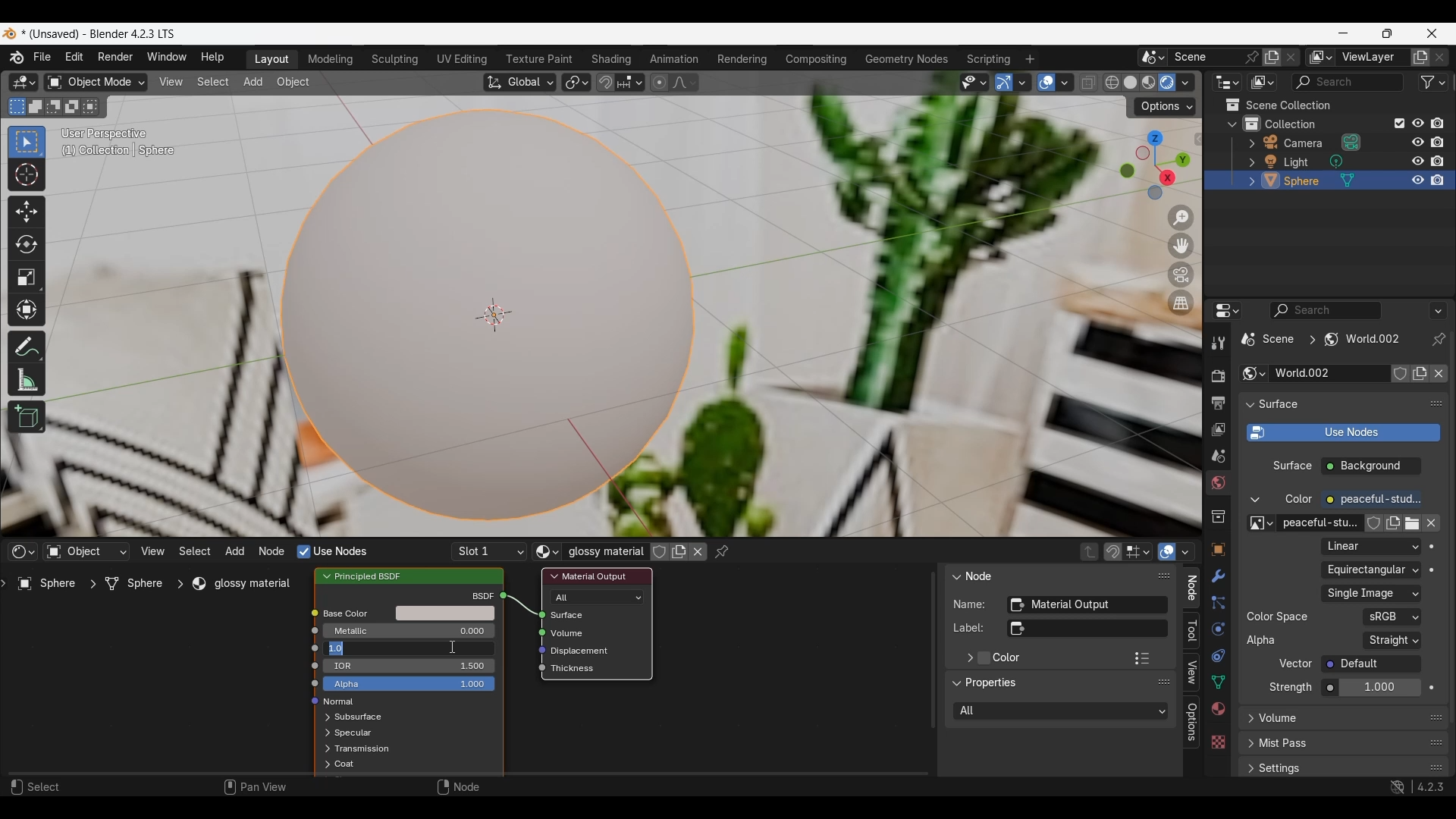  What do you see at coordinates (49, 586) in the screenshot?
I see `Sphere ` at bounding box center [49, 586].